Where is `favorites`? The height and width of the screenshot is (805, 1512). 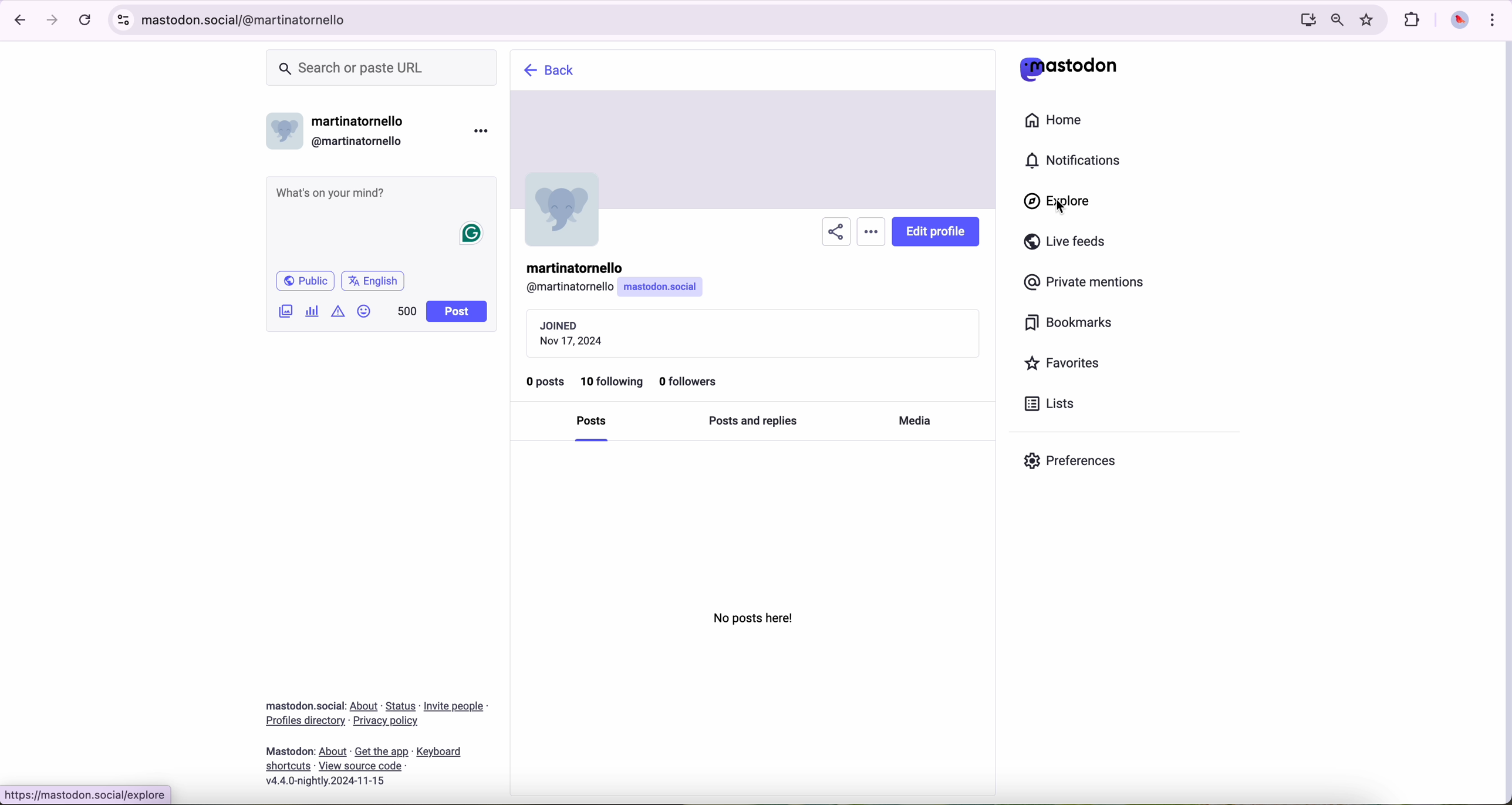 favorites is located at coordinates (1368, 19).